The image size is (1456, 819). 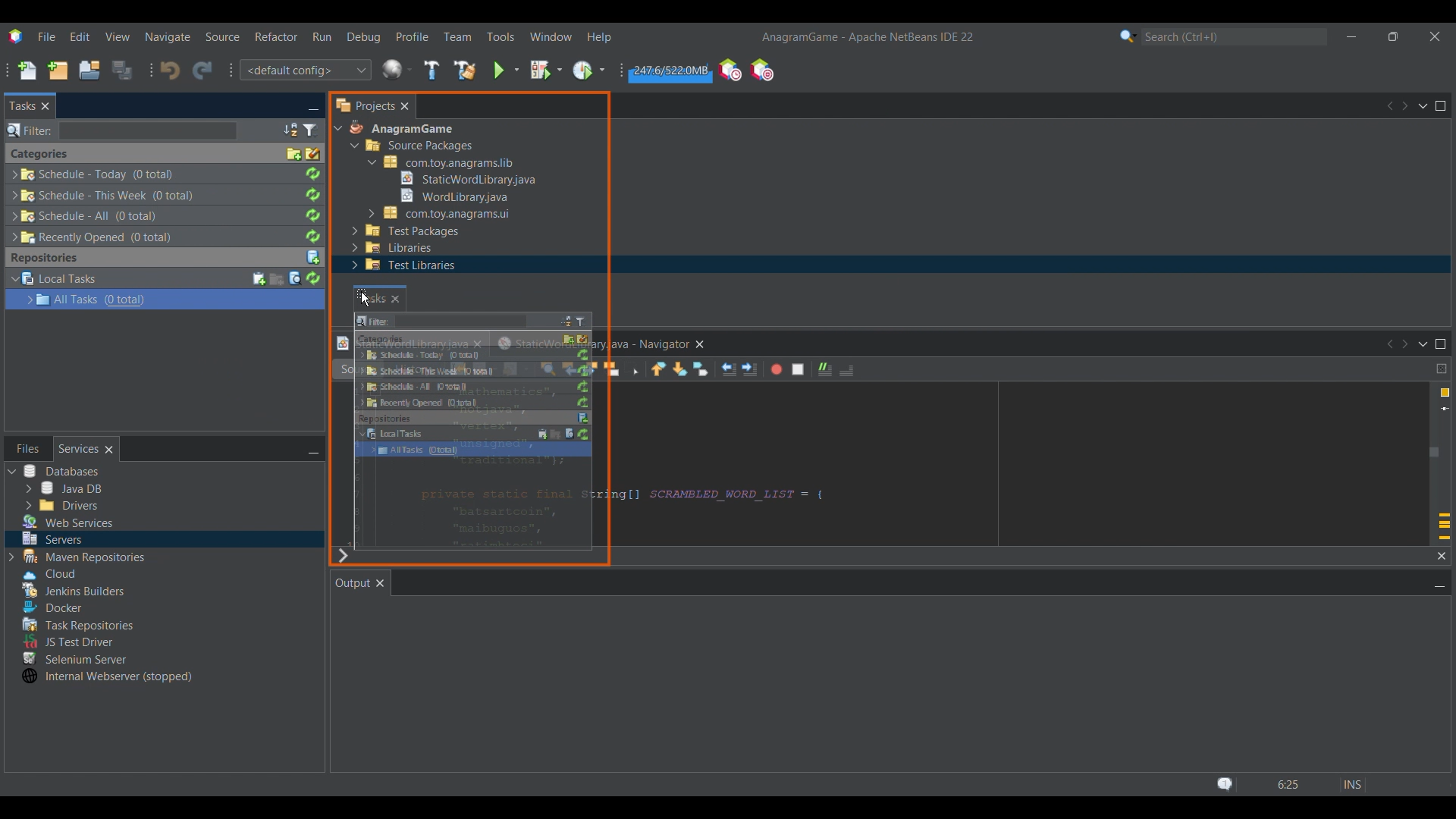 I want to click on Previous, so click(x=1389, y=344).